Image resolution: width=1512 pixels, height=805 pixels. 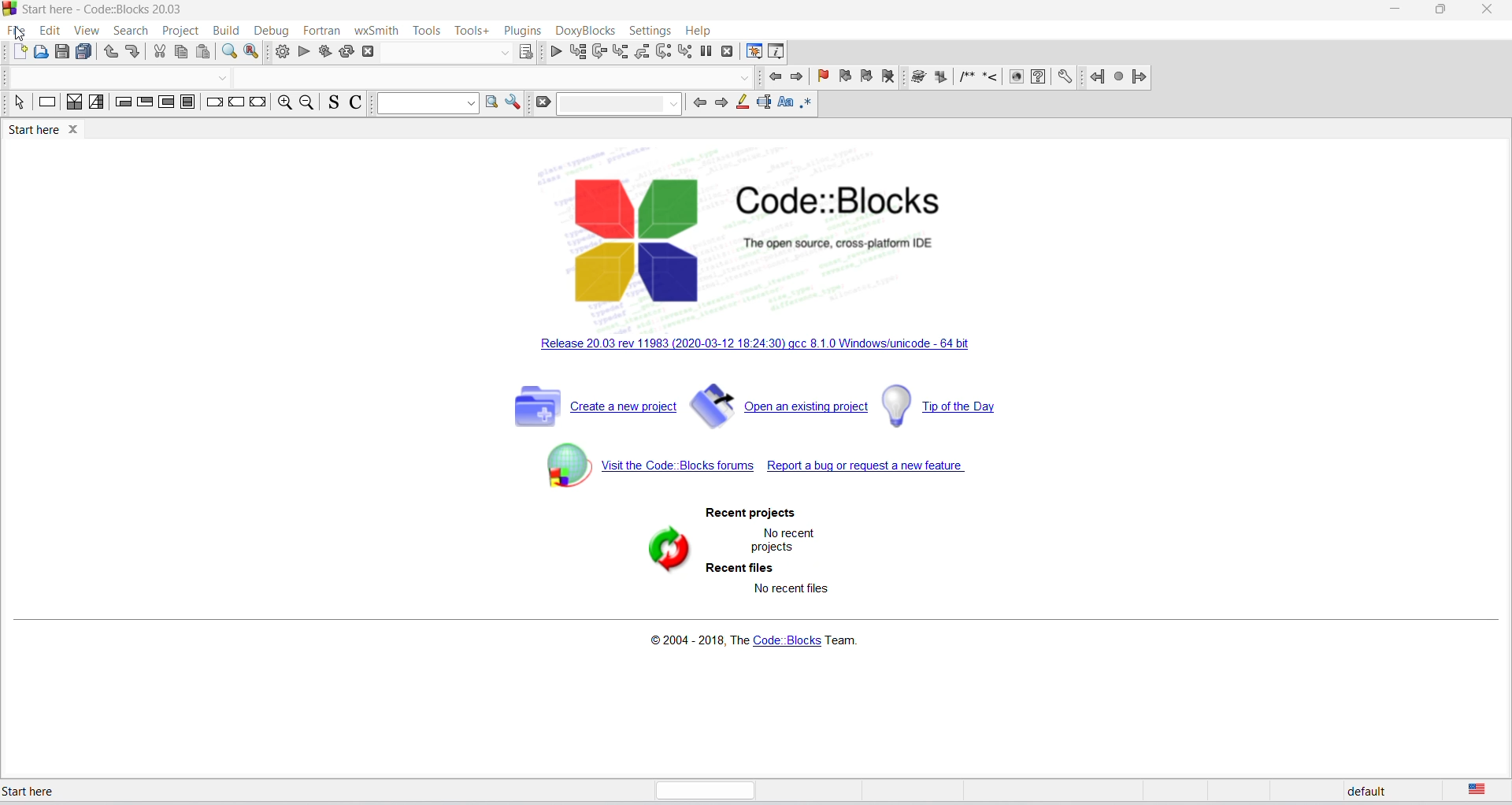 I want to click on entry condition loop, so click(x=124, y=103).